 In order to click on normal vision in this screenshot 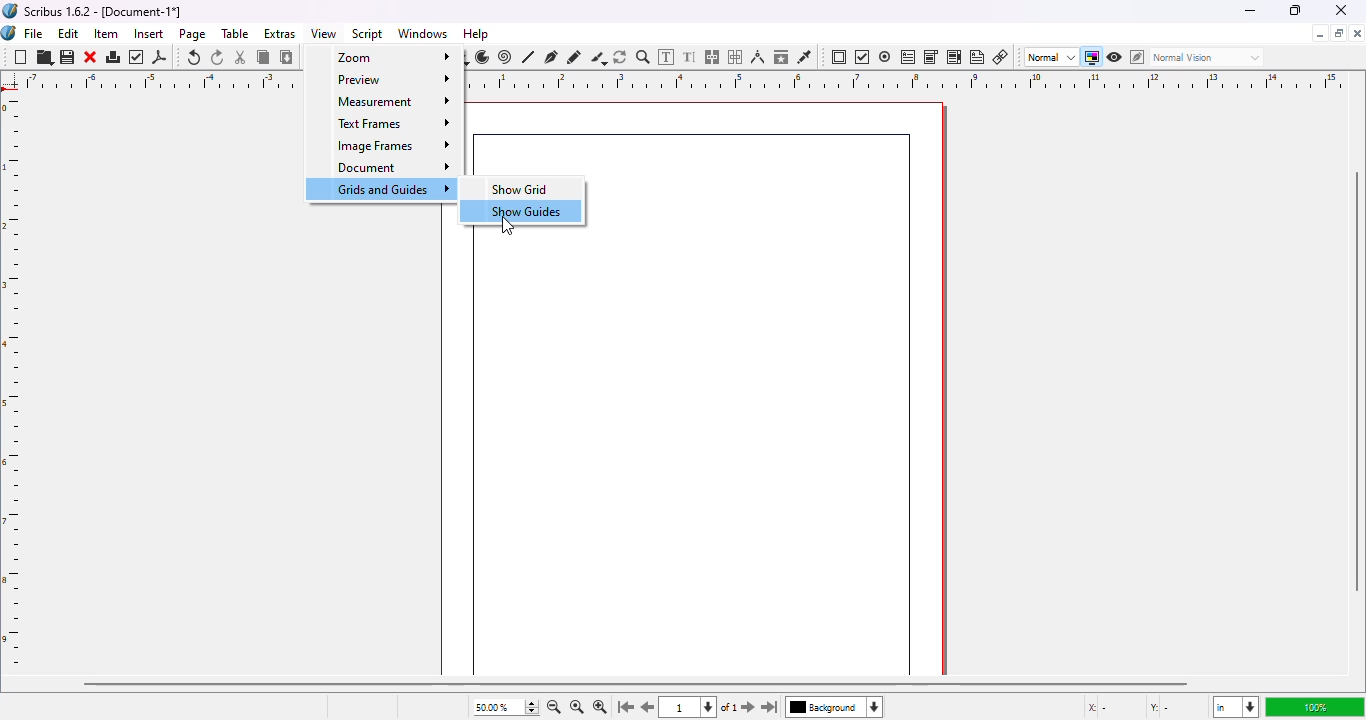, I will do `click(1209, 57)`.